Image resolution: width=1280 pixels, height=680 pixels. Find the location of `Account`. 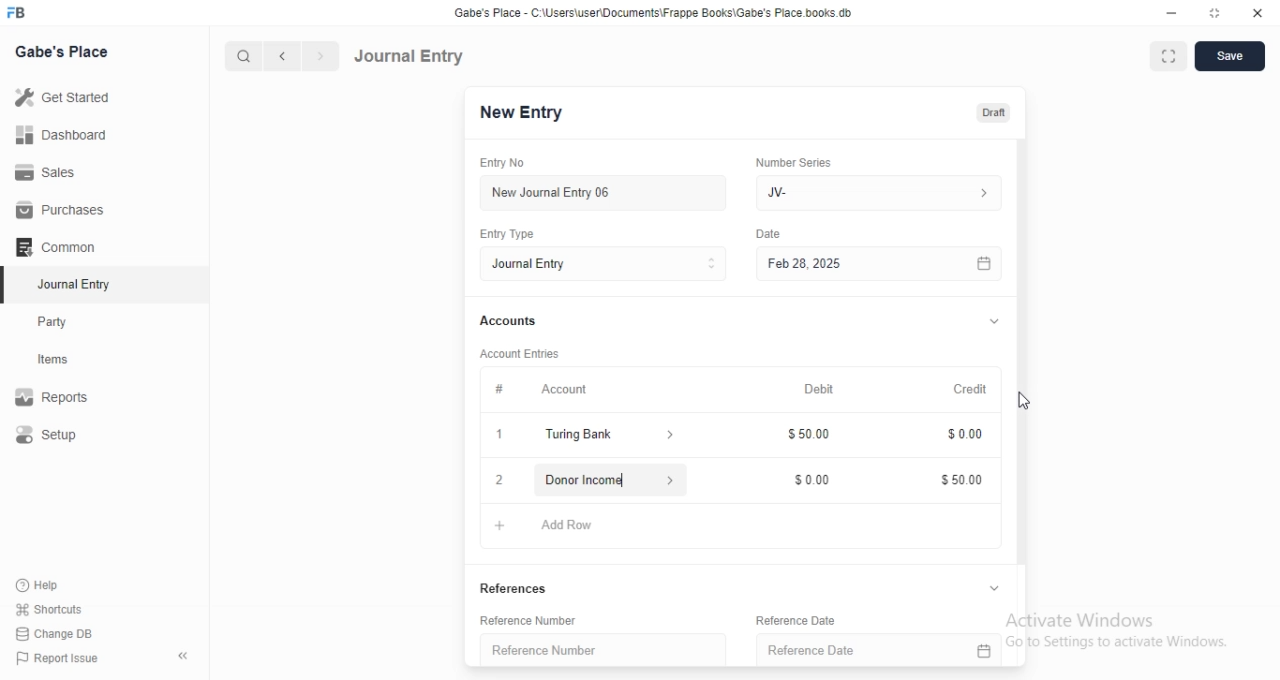

Account is located at coordinates (549, 391).